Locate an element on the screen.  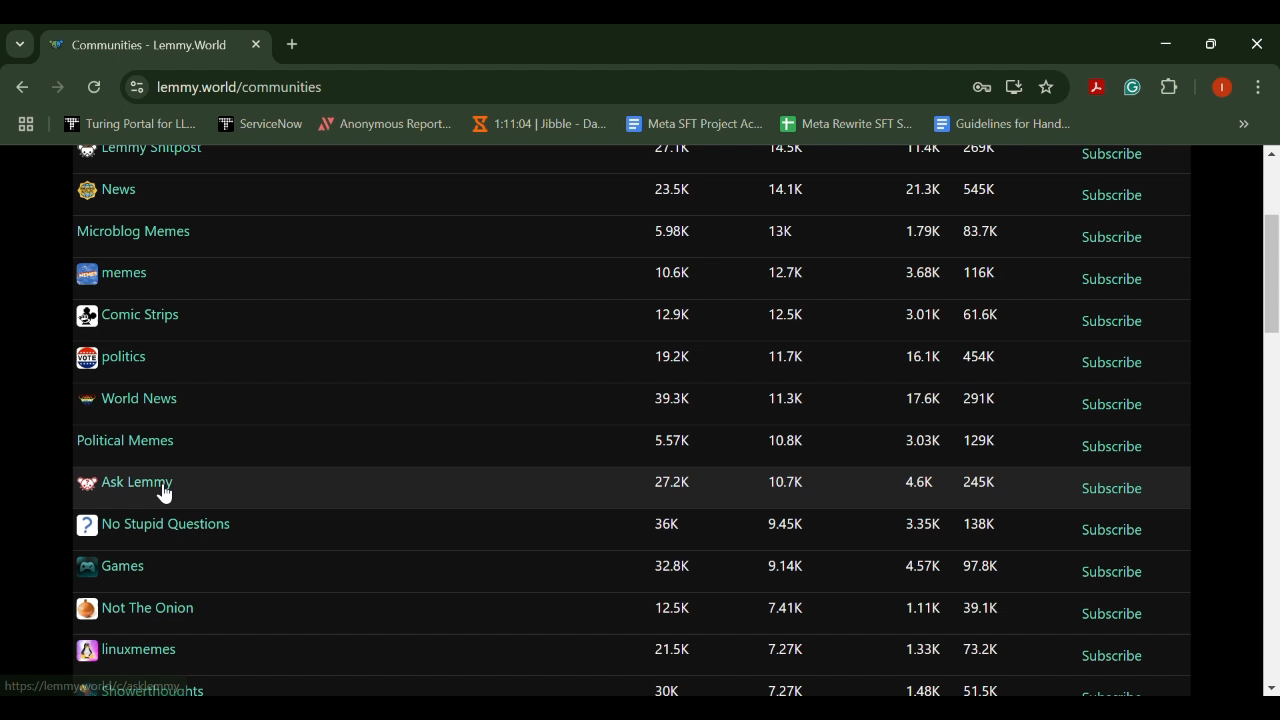
Cursor on Ask Lemmy Community Link is located at coordinates (164, 491).